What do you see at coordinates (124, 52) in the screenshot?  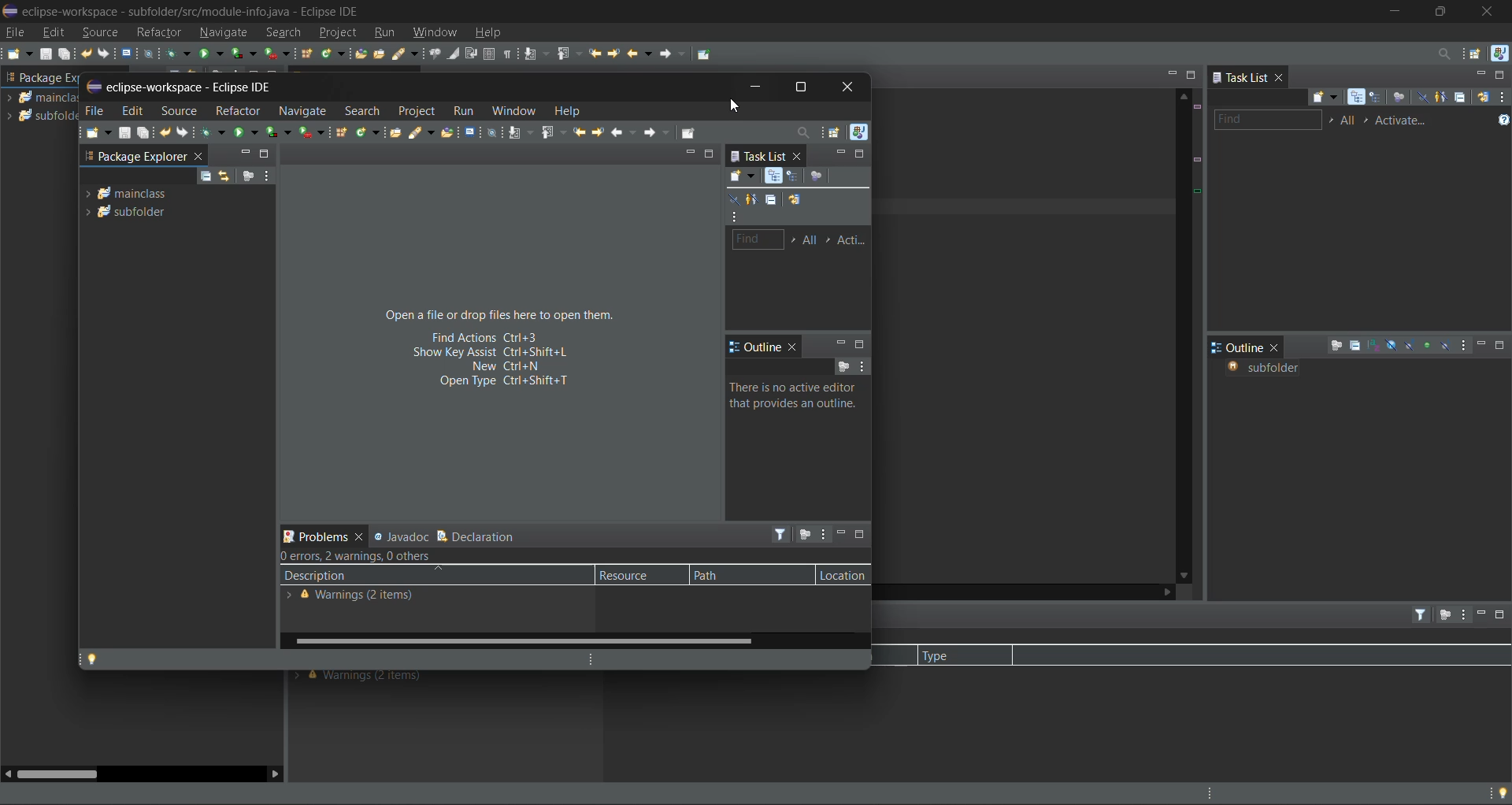 I see `open a terminal` at bounding box center [124, 52].